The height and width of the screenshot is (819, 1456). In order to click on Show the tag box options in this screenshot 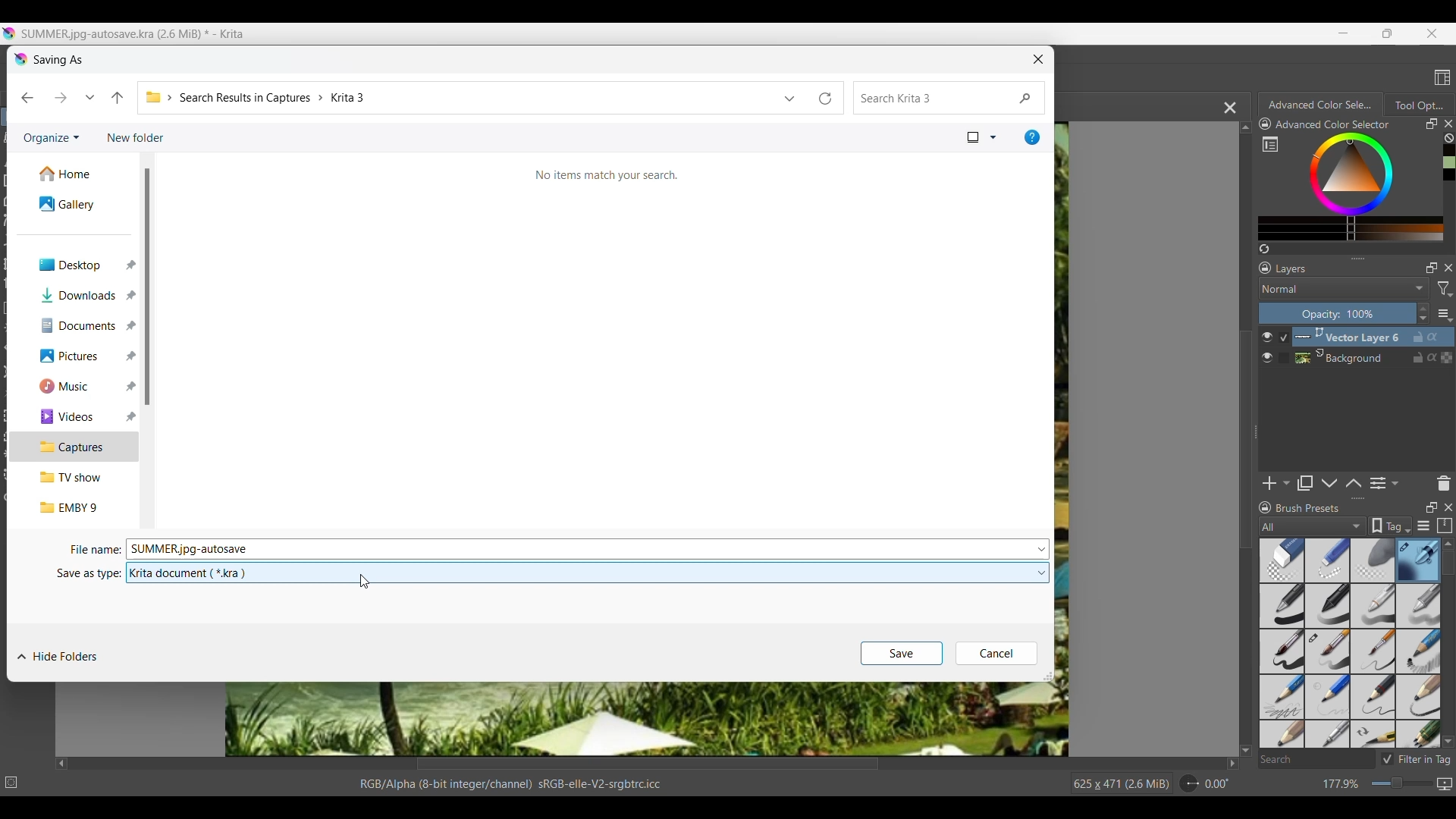, I will do `click(1390, 526)`.